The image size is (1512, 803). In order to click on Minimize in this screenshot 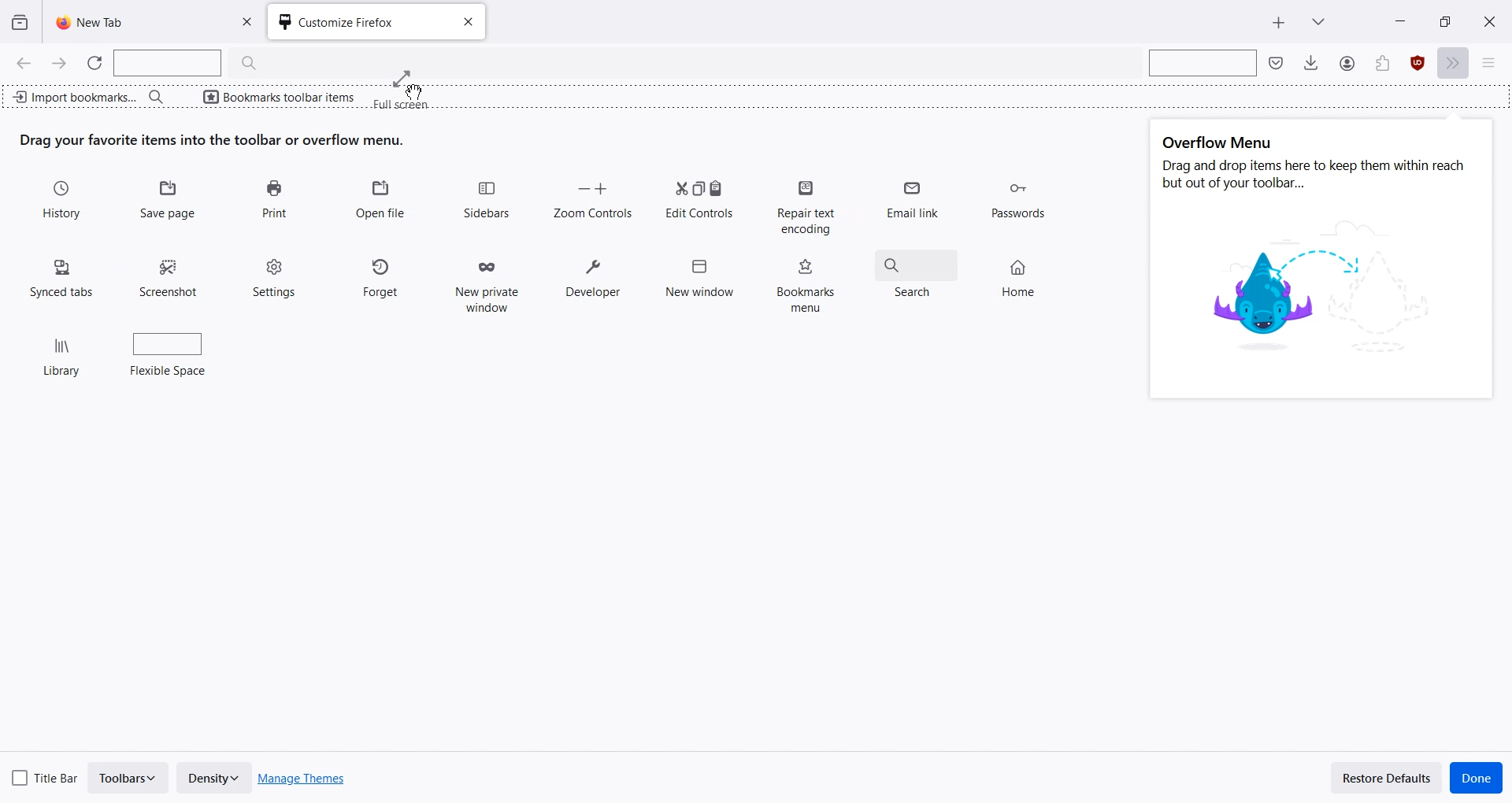, I will do `click(1401, 20)`.